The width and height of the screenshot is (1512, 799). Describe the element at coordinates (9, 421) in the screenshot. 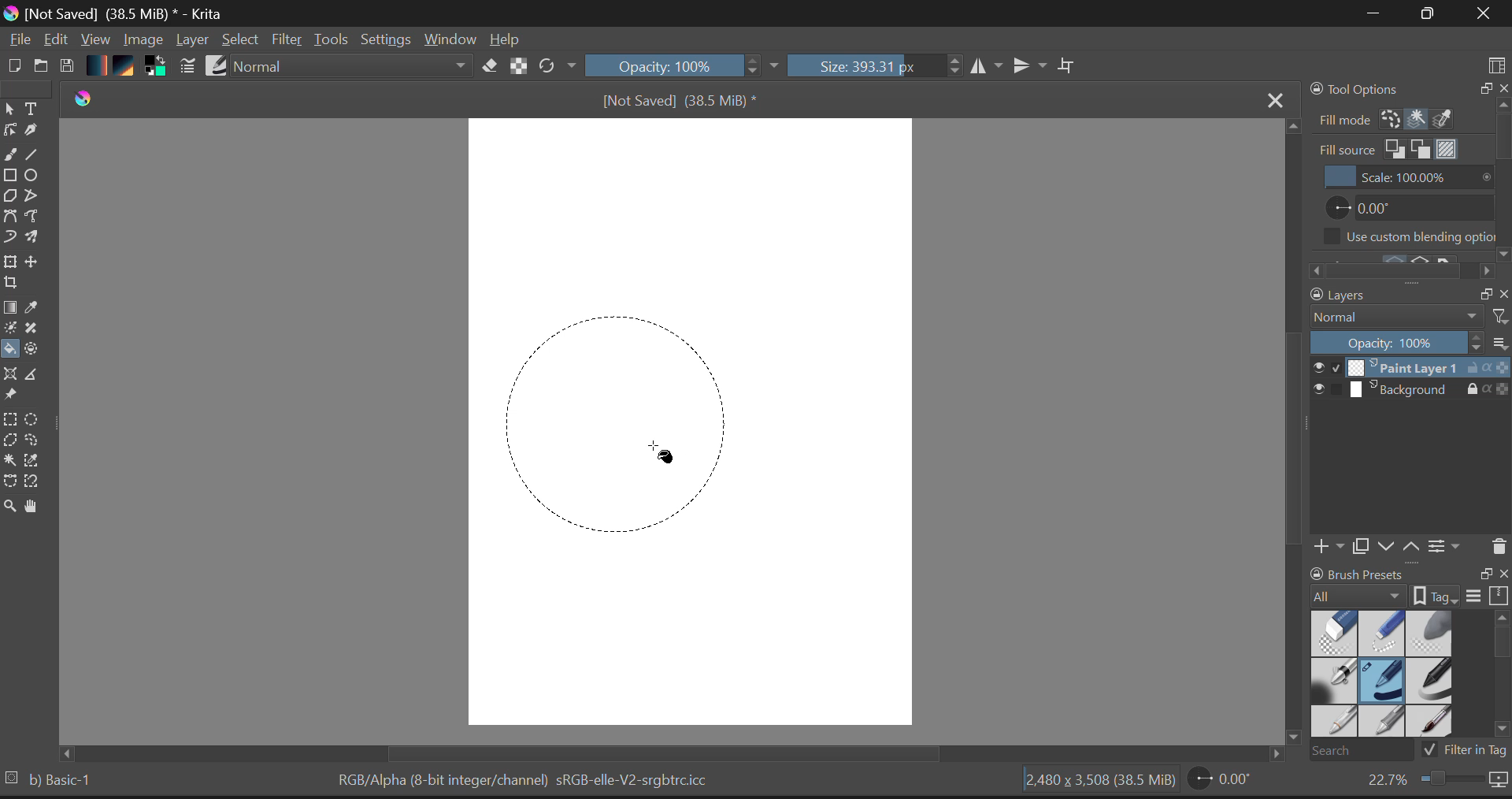

I see `Rectangle Selection` at that location.